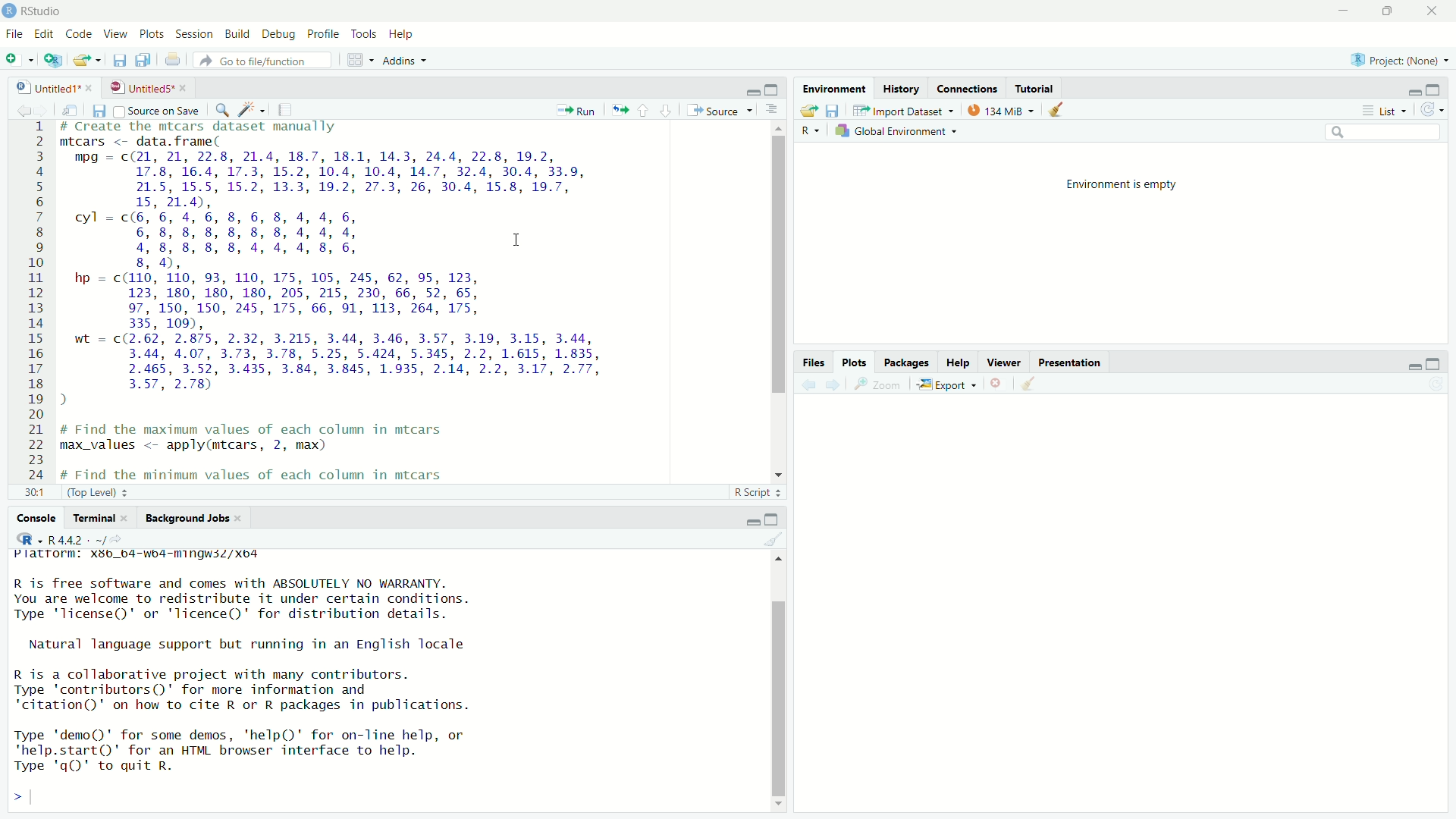 This screenshot has height=819, width=1456. Describe the element at coordinates (89, 61) in the screenshot. I see `move` at that location.